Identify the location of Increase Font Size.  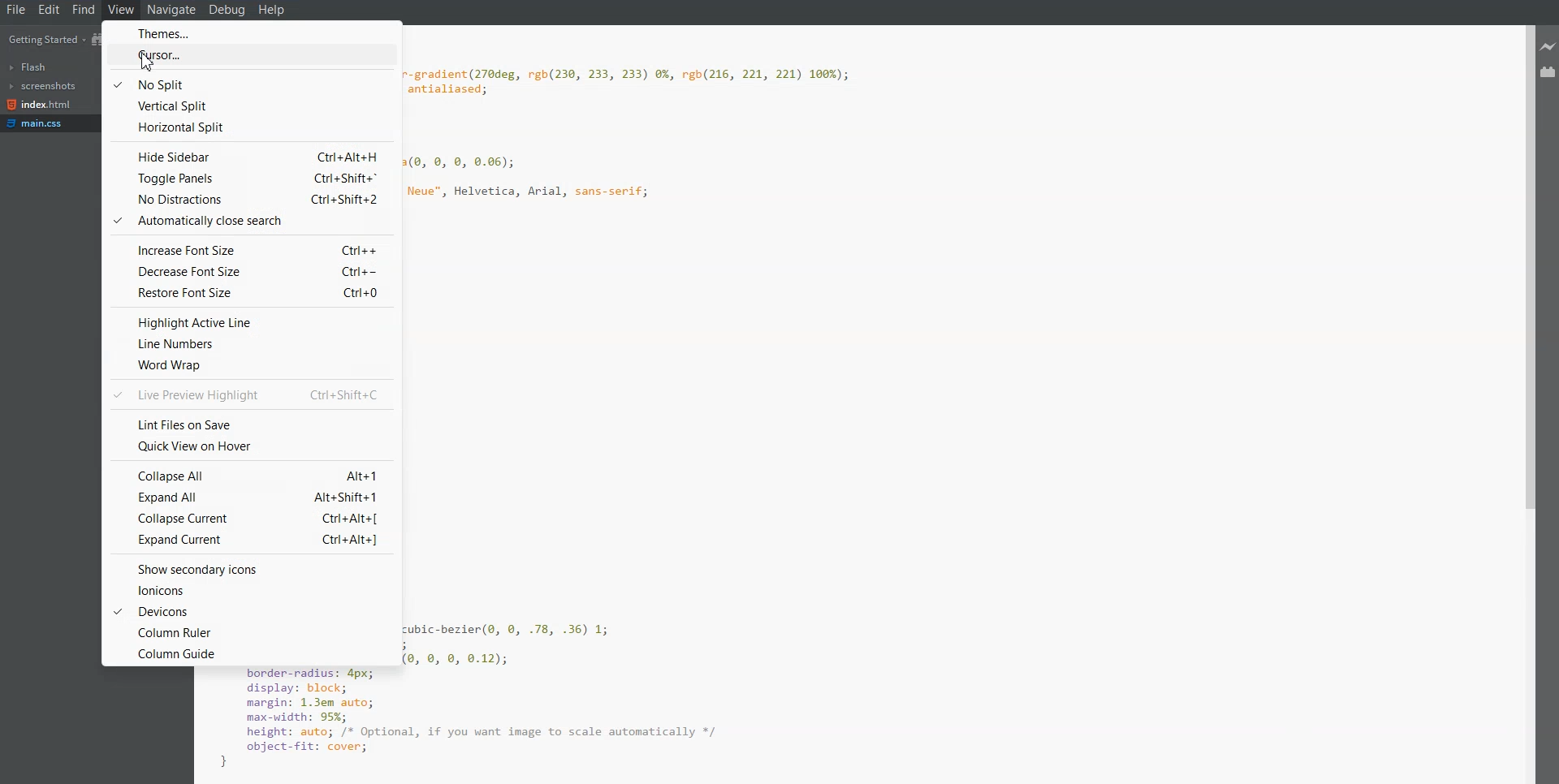
(248, 249).